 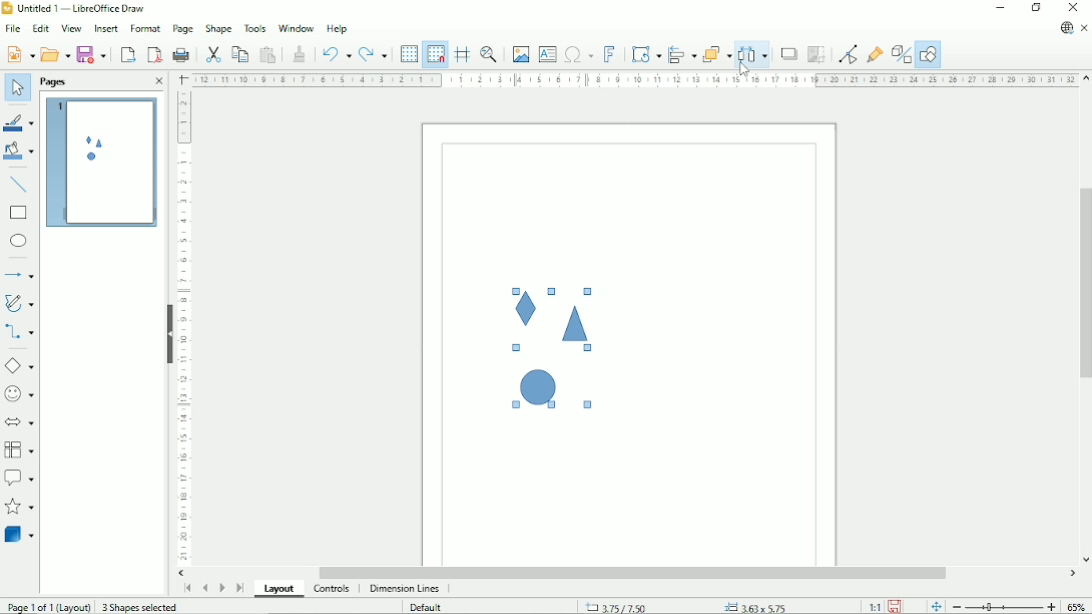 I want to click on Preview, so click(x=99, y=163).